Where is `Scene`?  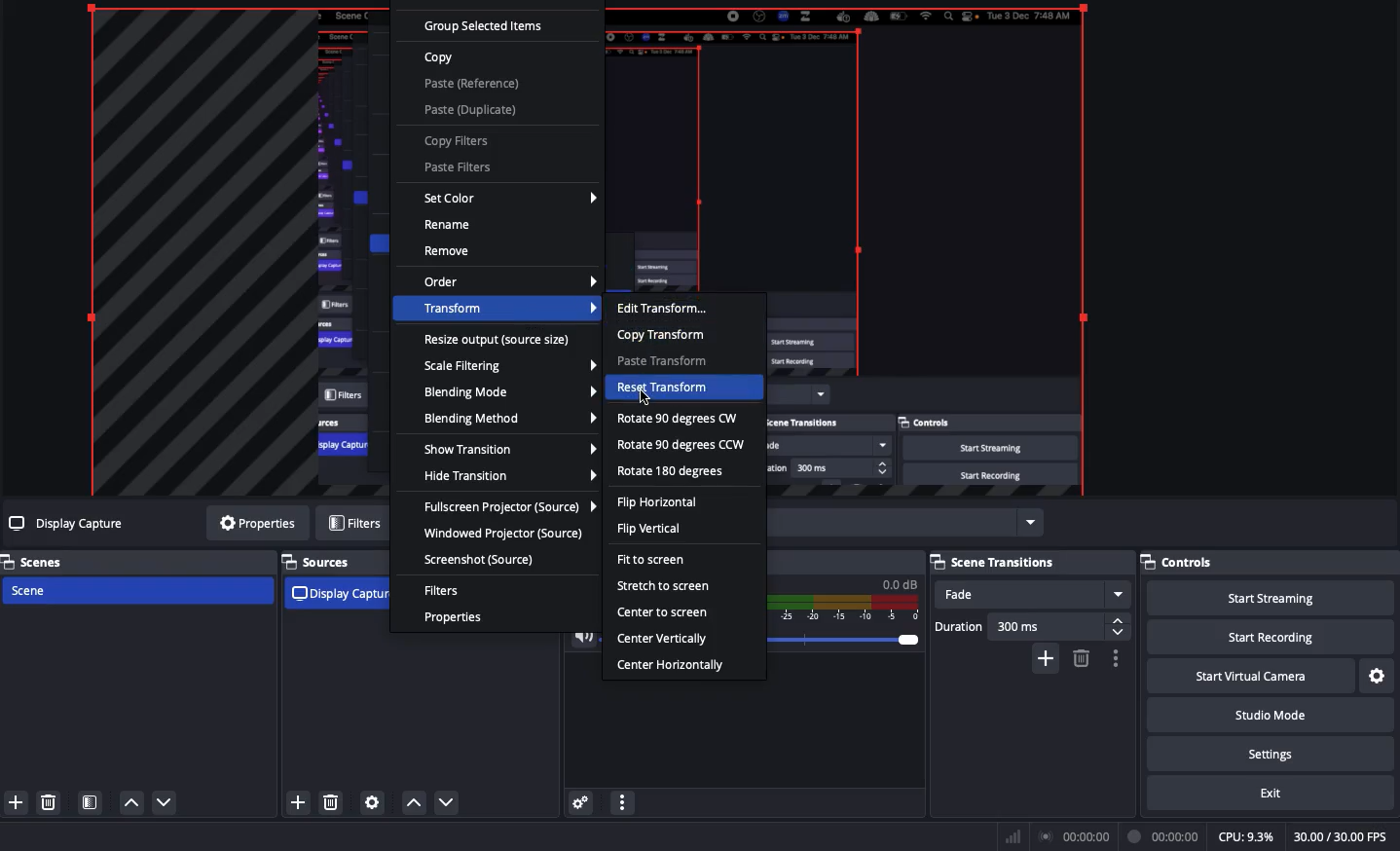 Scene is located at coordinates (139, 590).